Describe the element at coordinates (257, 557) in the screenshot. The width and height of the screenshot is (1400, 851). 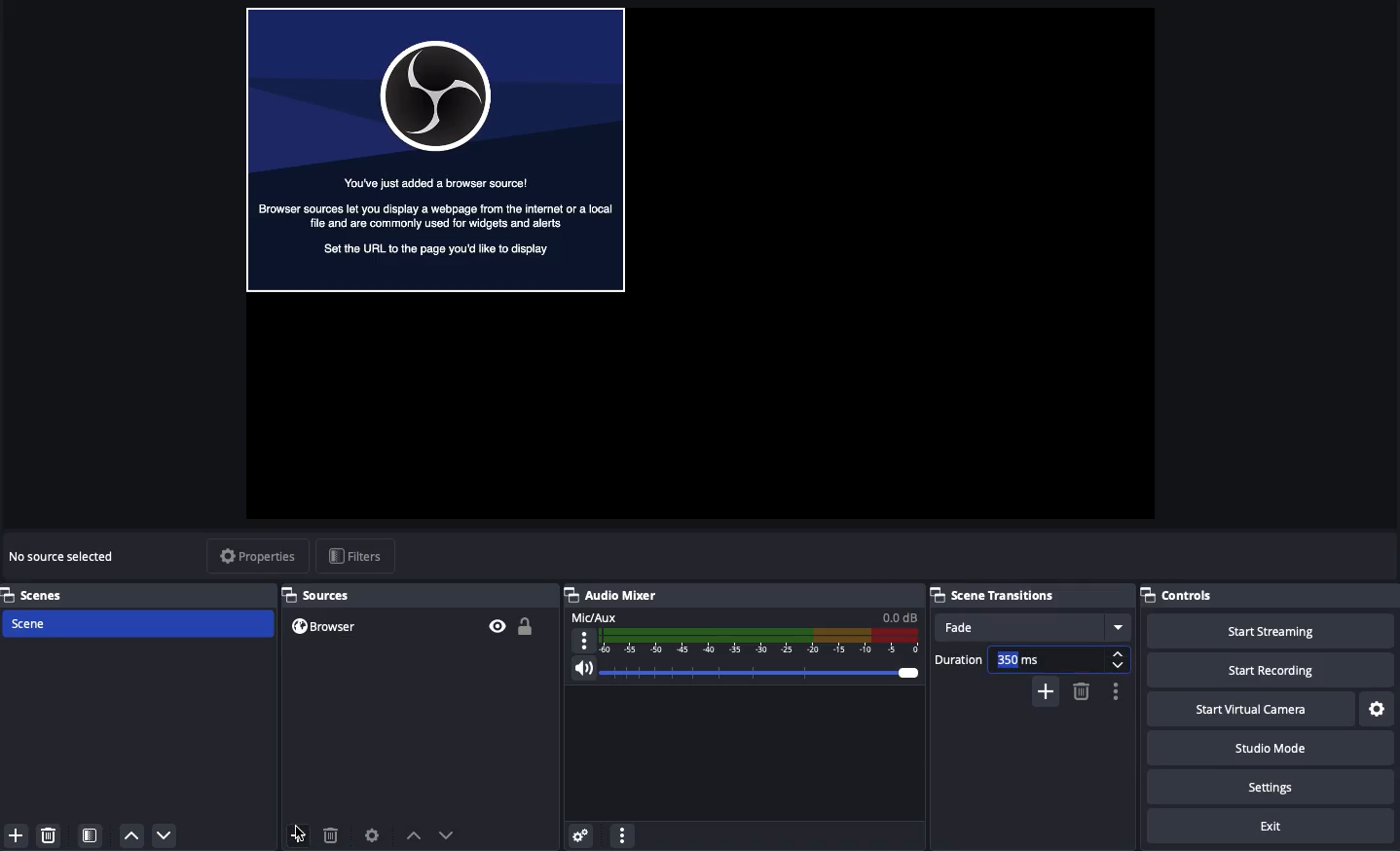
I see `Properties` at that location.